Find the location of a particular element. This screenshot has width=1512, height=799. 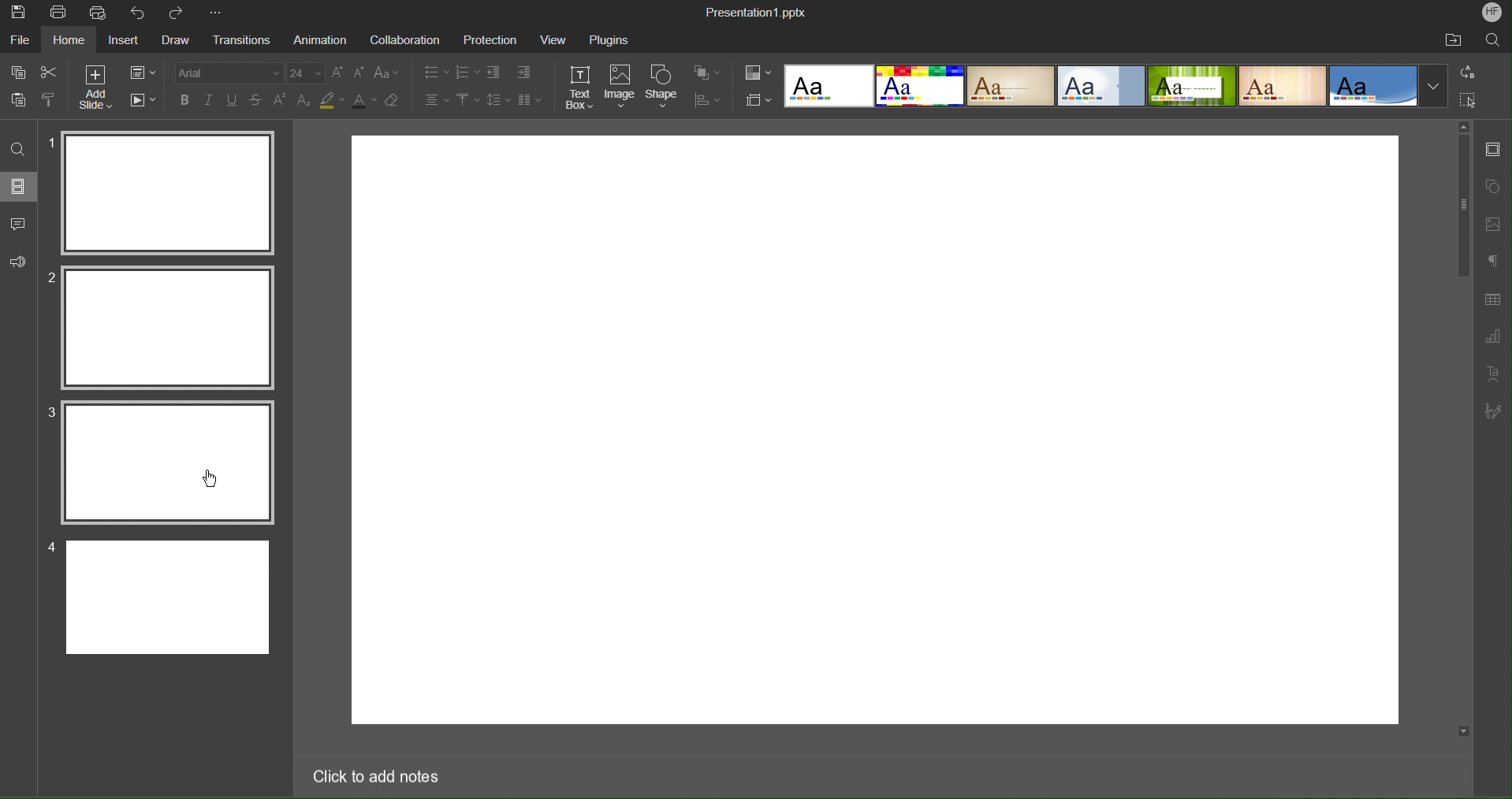

underline is located at coordinates (233, 98).